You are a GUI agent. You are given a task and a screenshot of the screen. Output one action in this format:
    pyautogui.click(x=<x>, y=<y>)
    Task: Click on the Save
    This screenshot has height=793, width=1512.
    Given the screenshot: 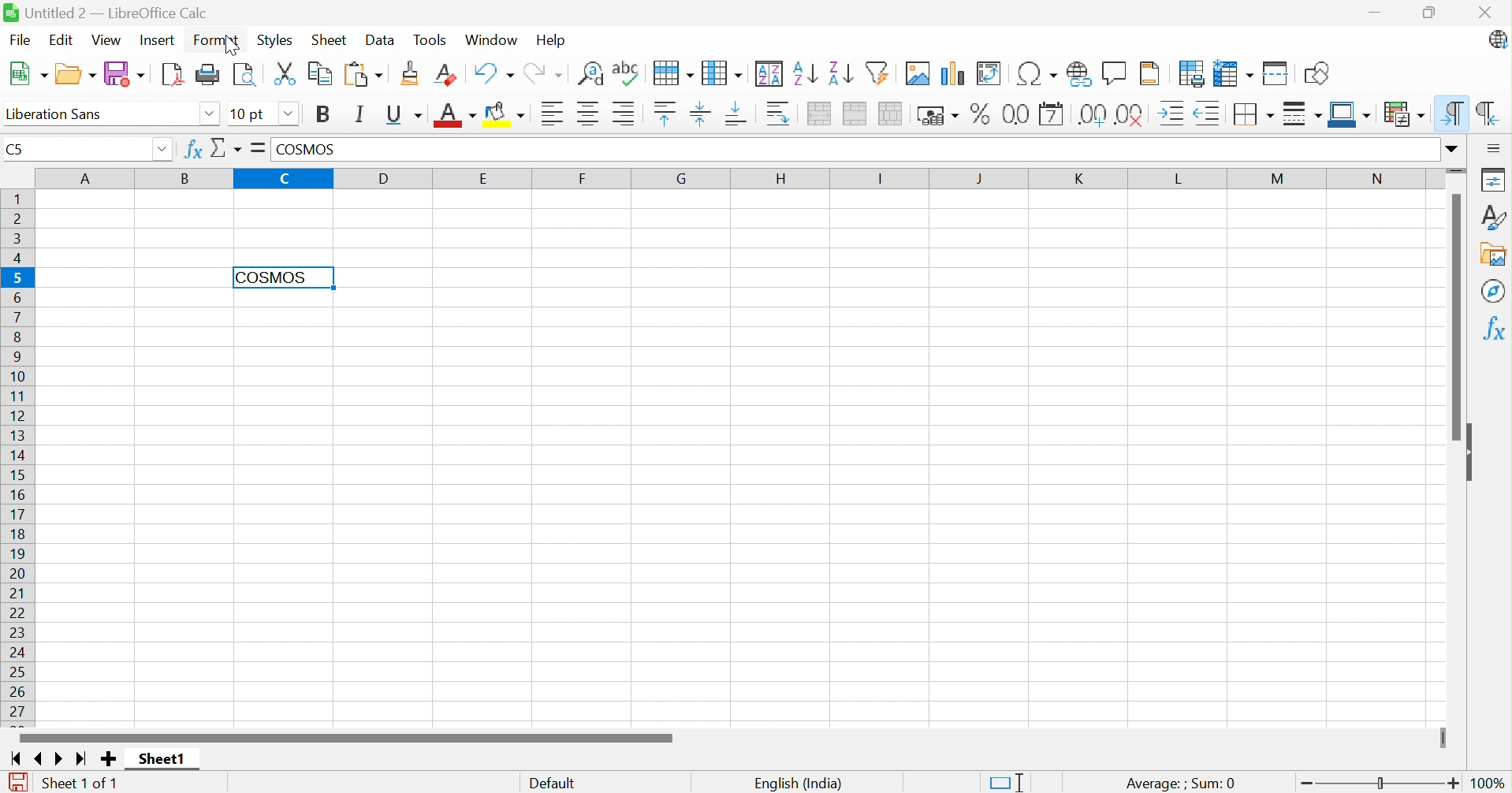 What is the action you would take?
    pyautogui.click(x=125, y=74)
    